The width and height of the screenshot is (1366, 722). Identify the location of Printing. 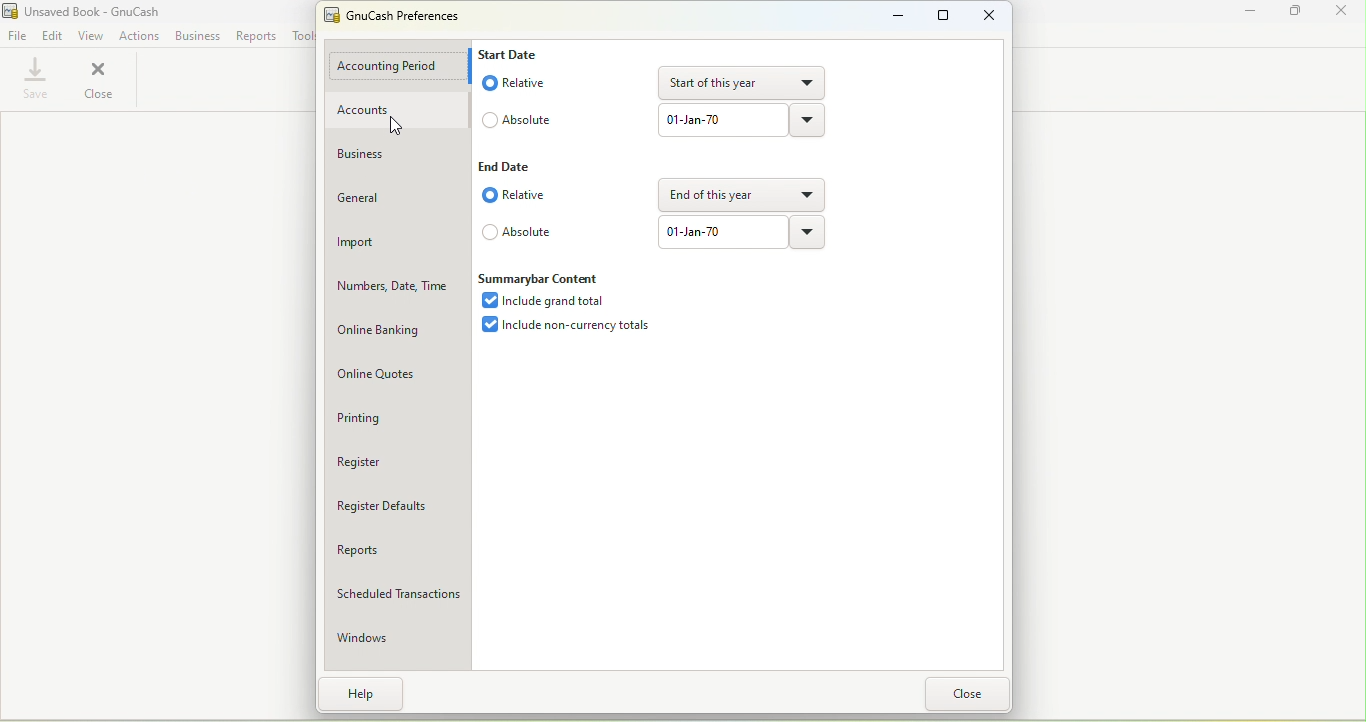
(397, 420).